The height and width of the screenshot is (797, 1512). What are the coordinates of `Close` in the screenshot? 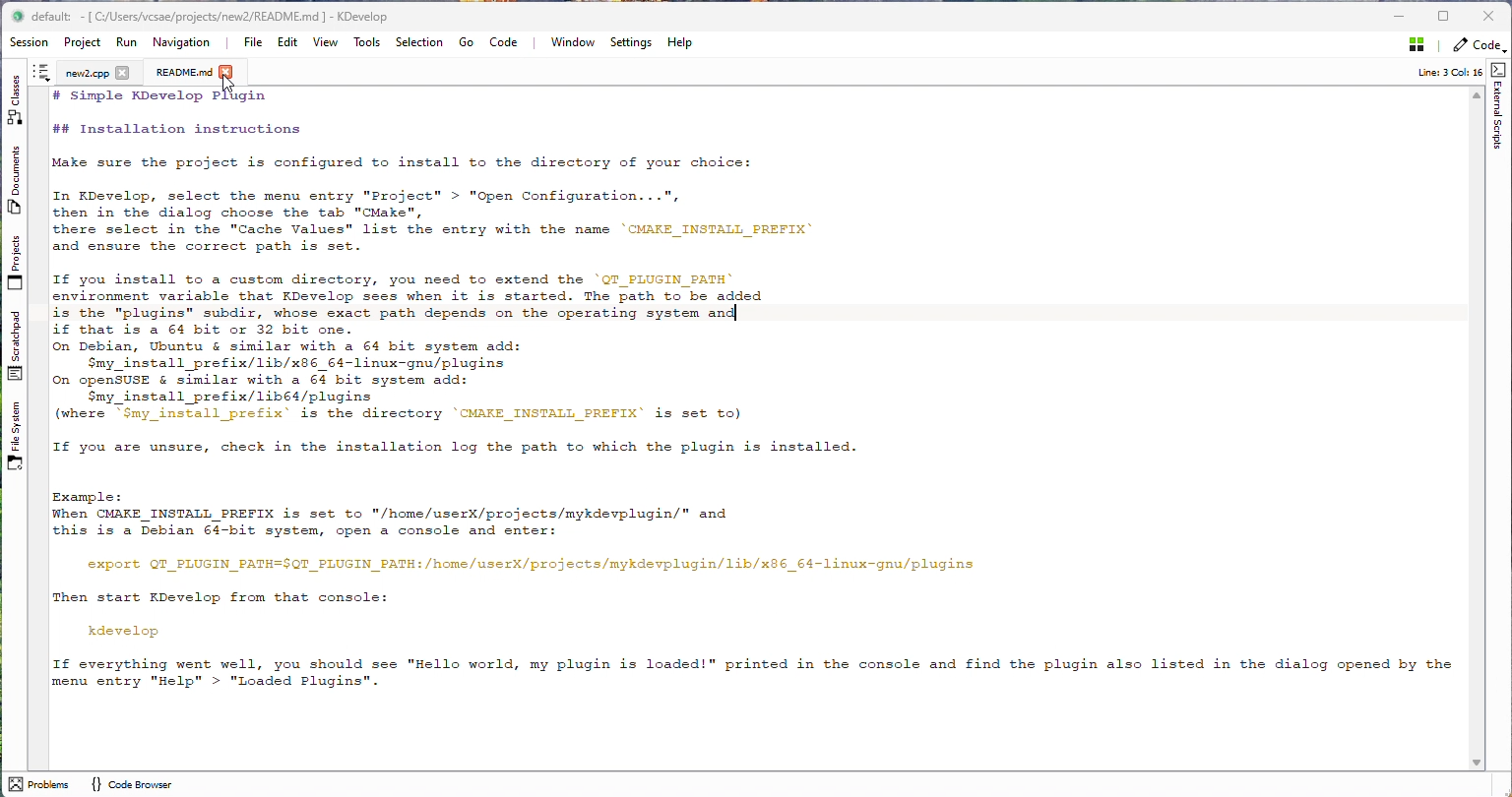 It's located at (1493, 17).